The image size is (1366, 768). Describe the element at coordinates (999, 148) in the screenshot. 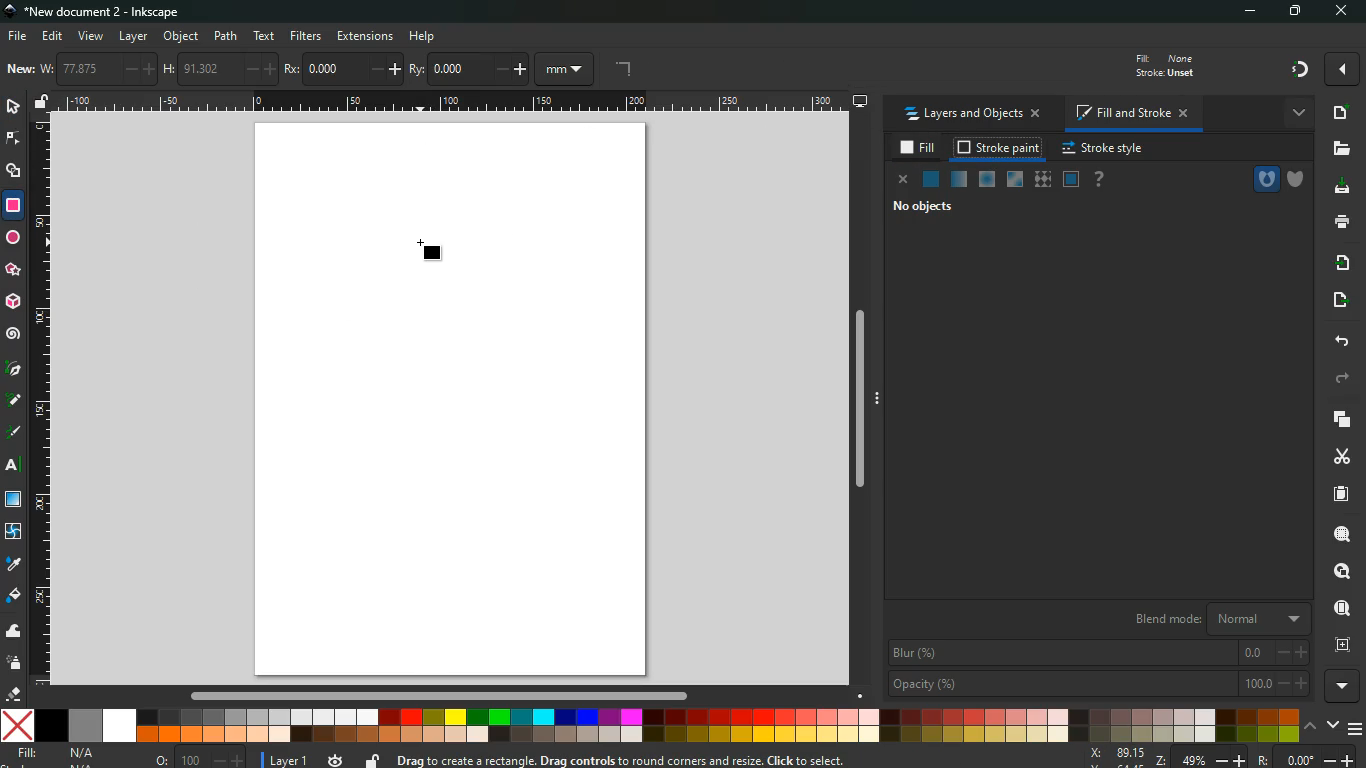

I see `stroke paint` at that location.